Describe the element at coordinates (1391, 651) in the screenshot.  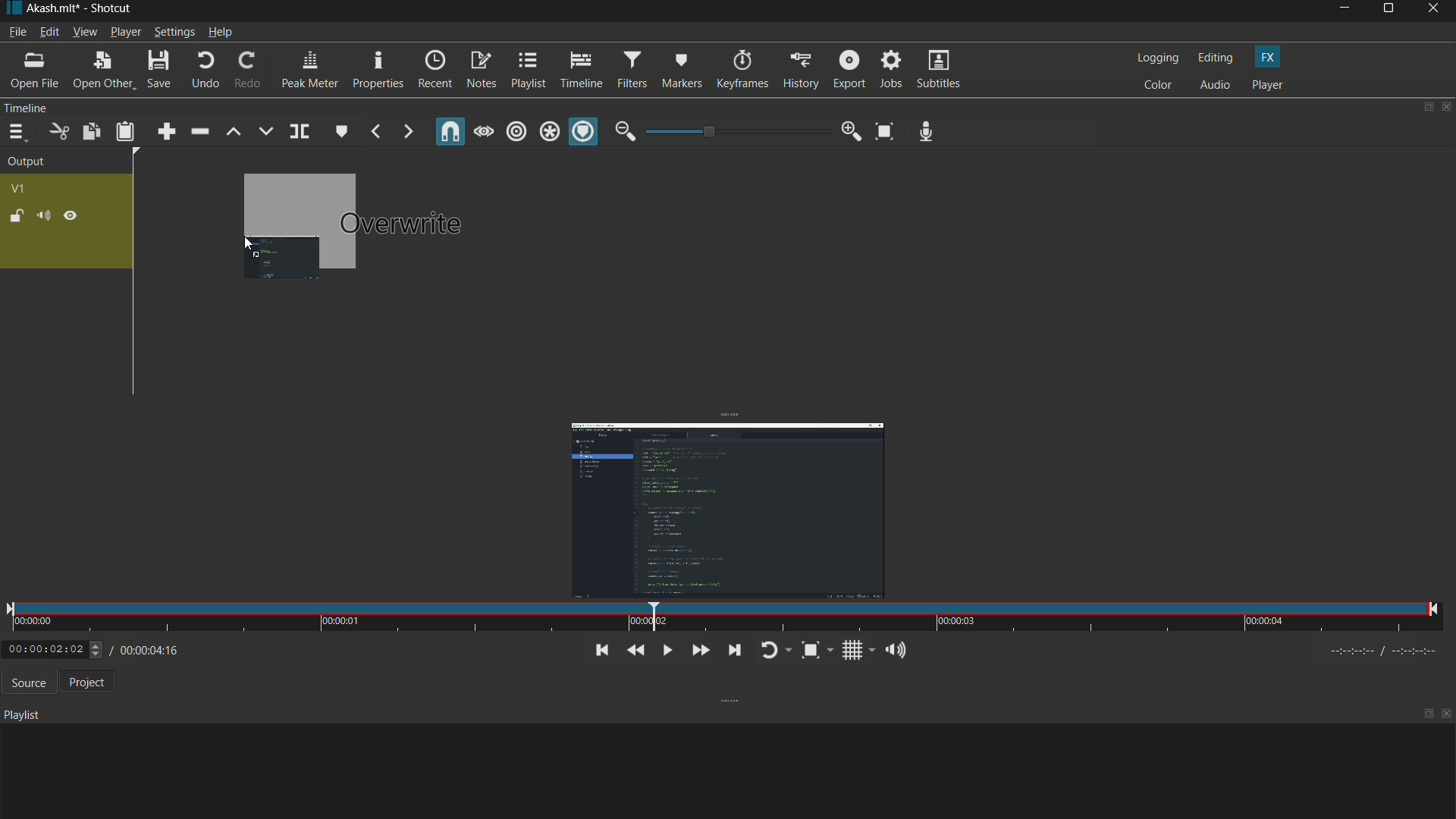
I see `timecodes` at that location.